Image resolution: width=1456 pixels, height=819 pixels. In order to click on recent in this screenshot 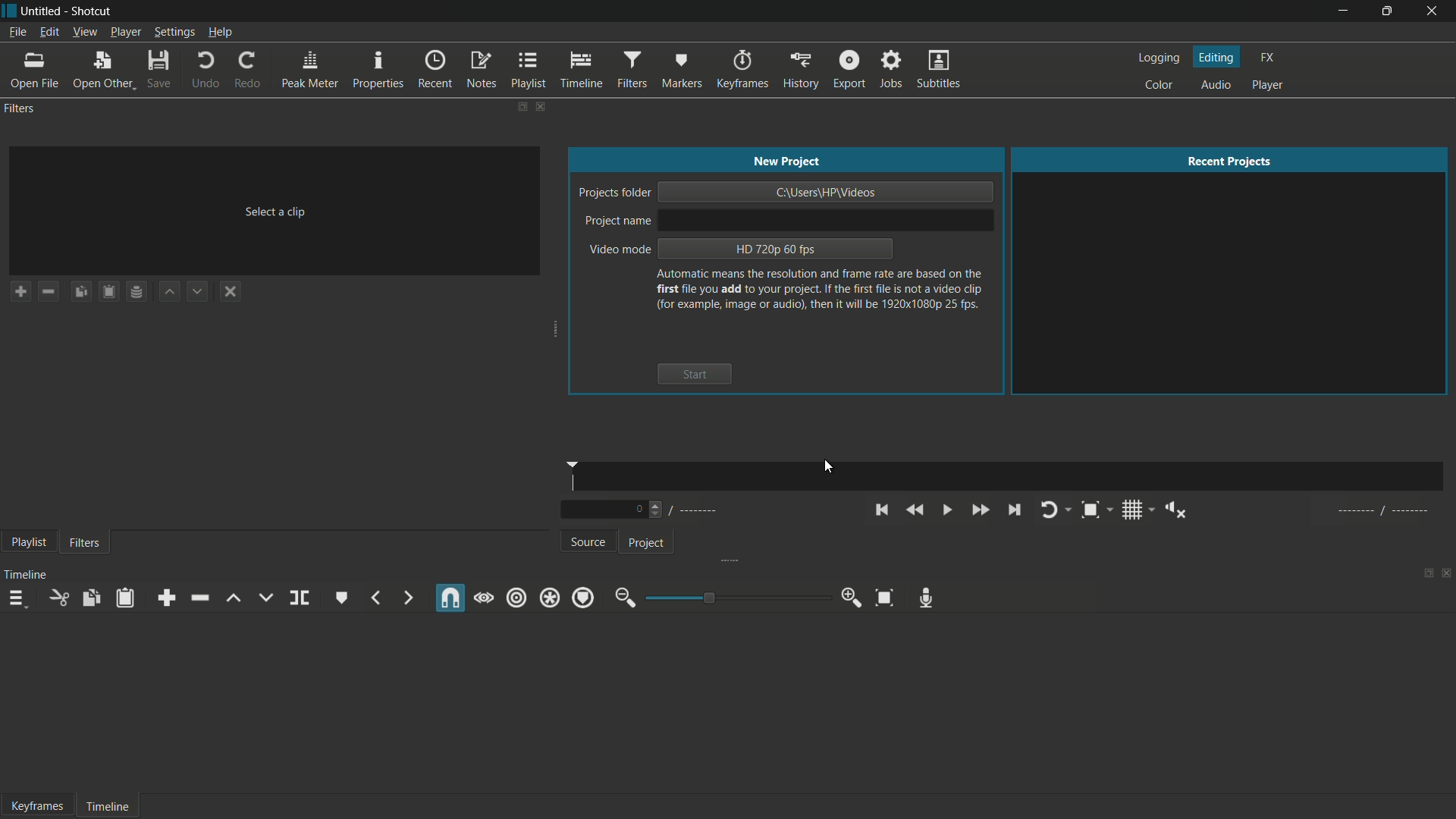, I will do `click(437, 70)`.